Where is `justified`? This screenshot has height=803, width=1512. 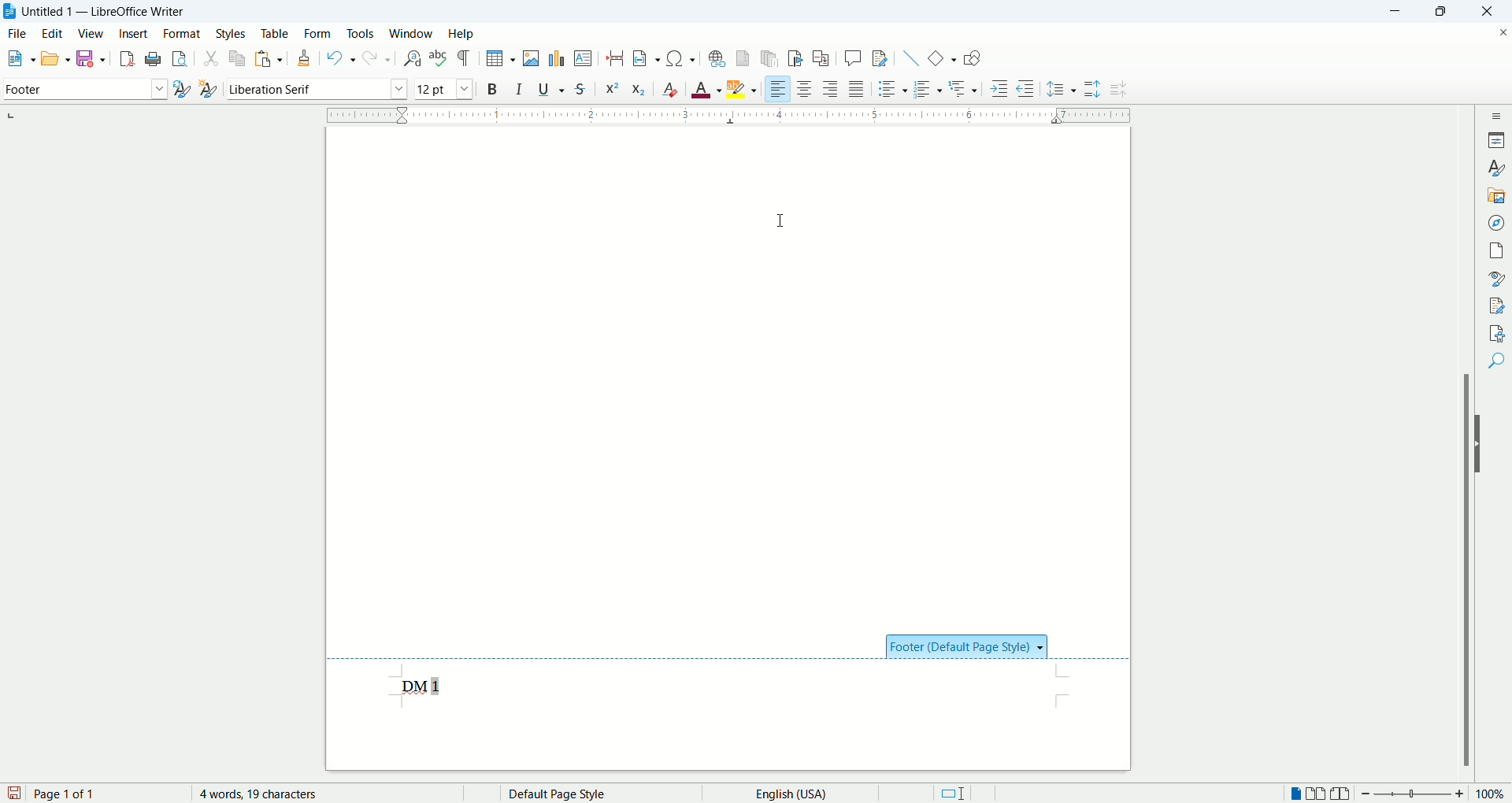 justified is located at coordinates (858, 89).